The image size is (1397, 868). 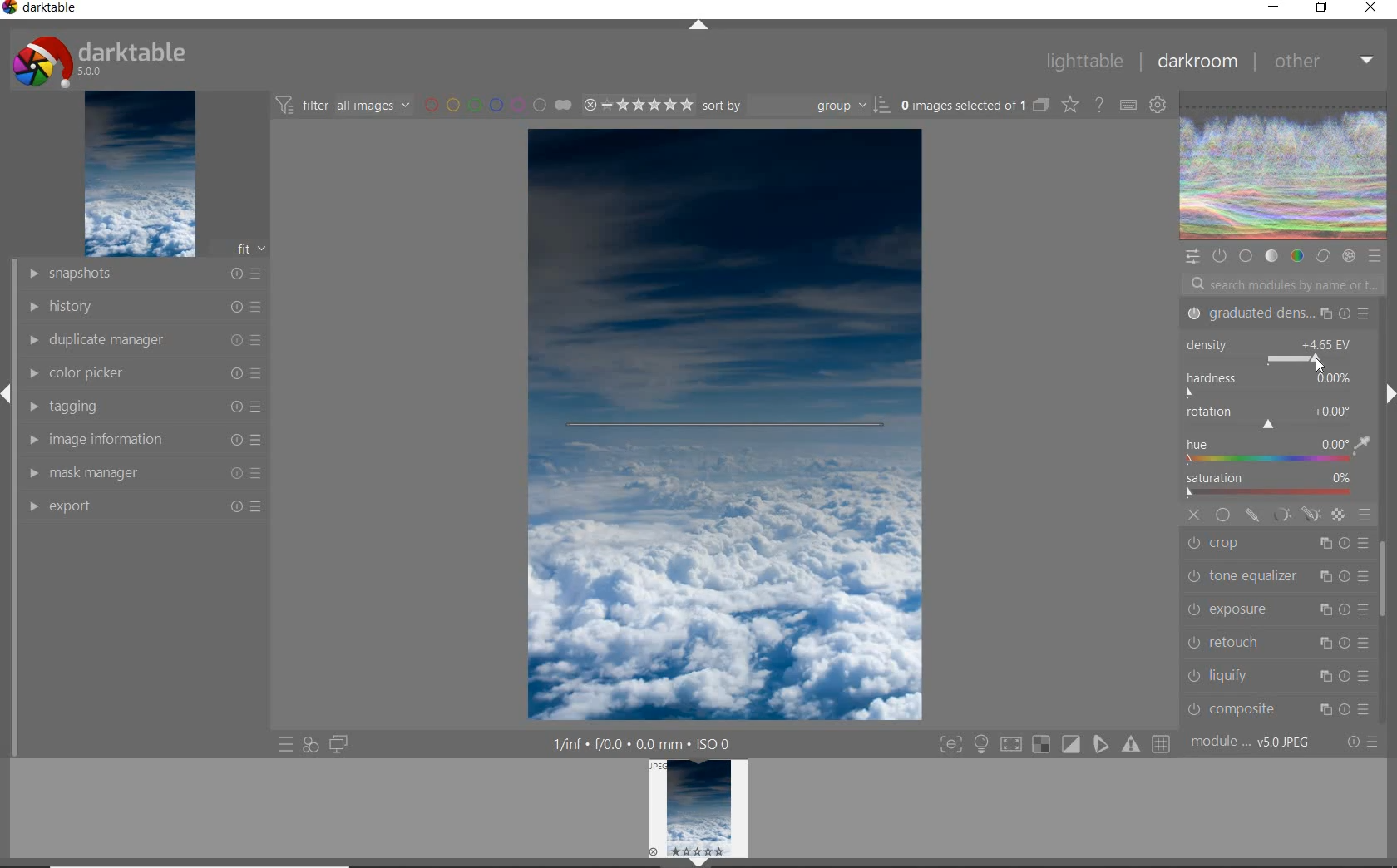 I want to click on CLOSE, so click(x=1371, y=8).